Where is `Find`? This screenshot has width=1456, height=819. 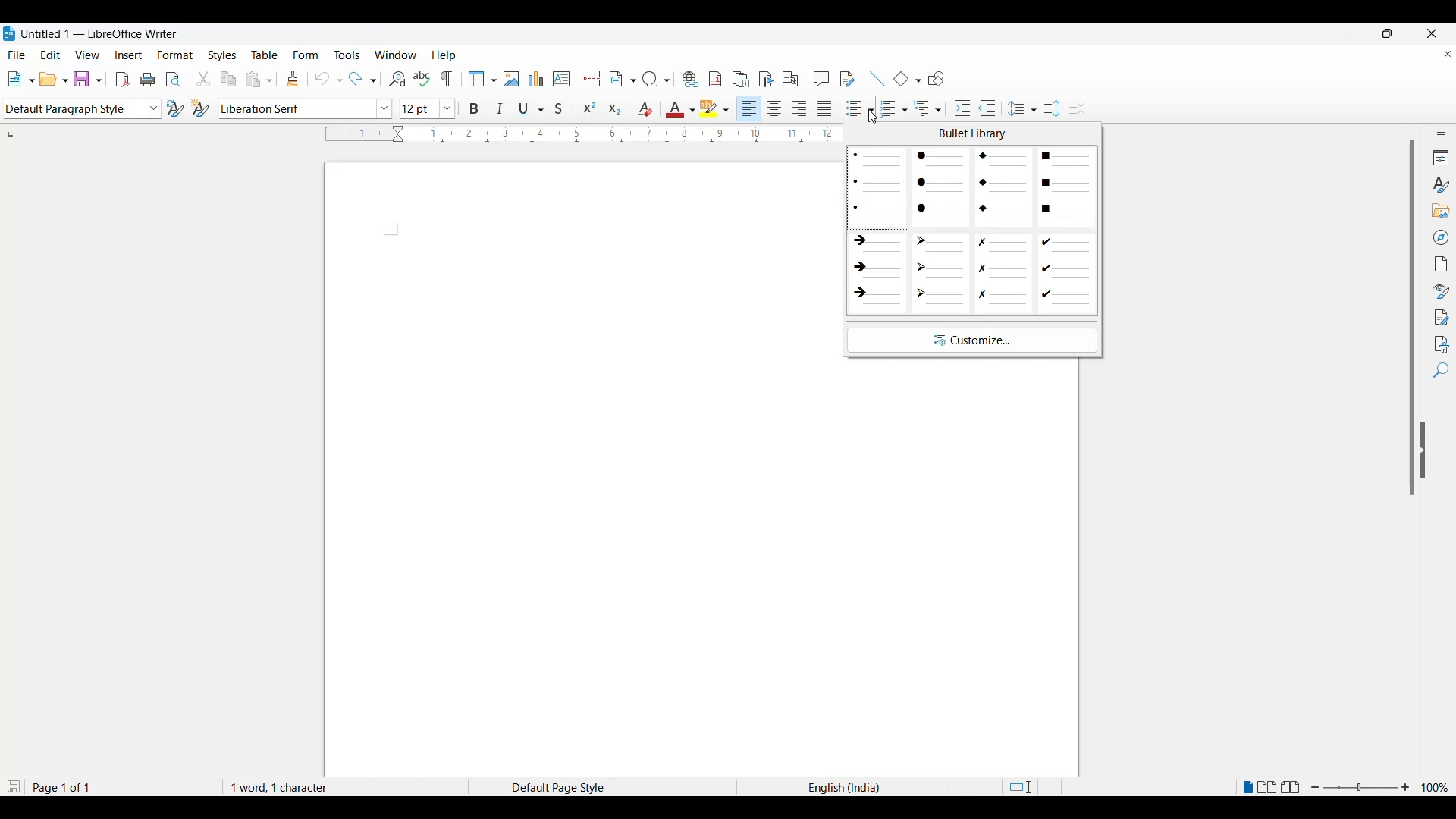 Find is located at coordinates (1439, 373).